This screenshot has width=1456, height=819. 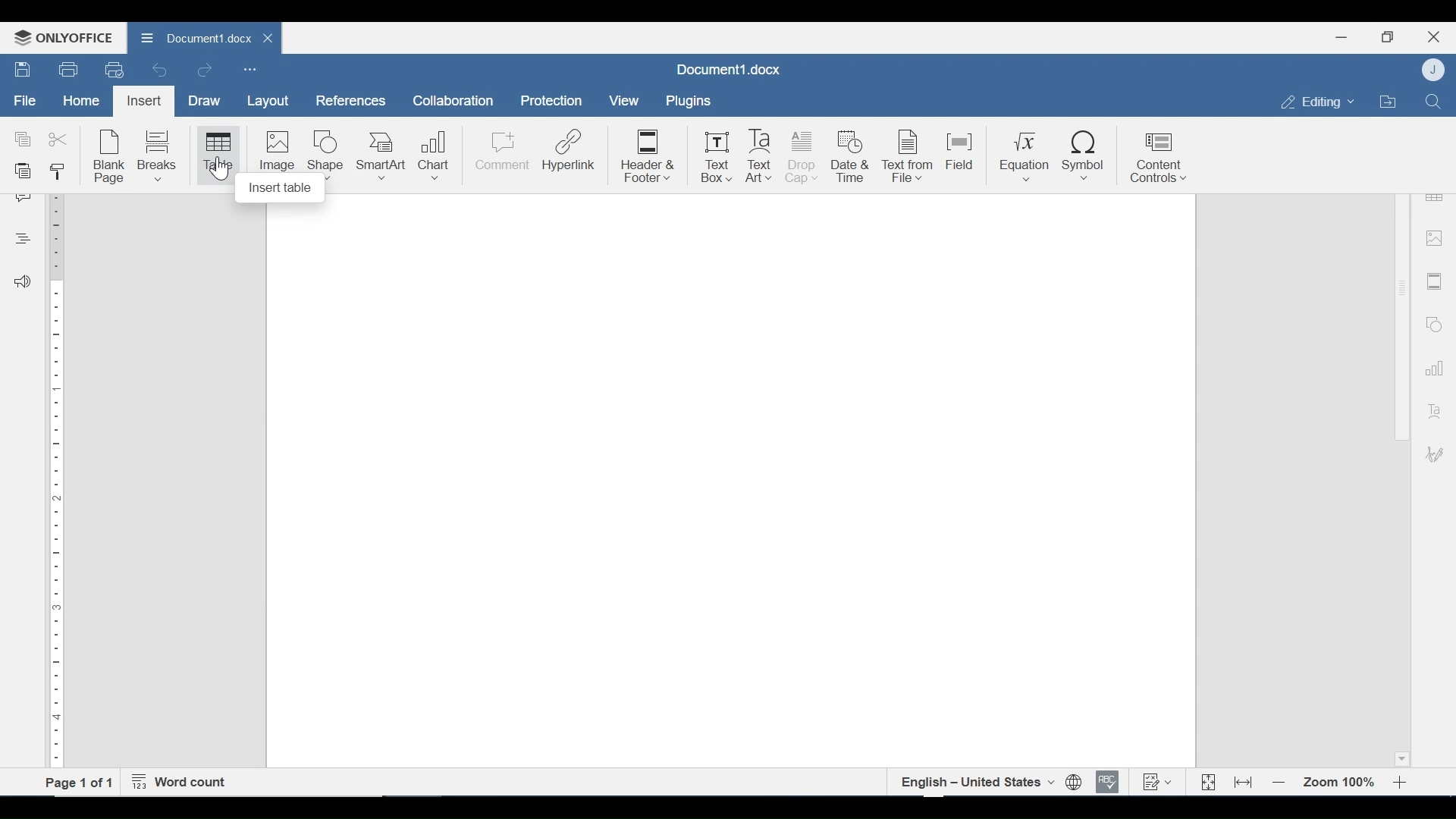 What do you see at coordinates (204, 101) in the screenshot?
I see `Draw` at bounding box center [204, 101].